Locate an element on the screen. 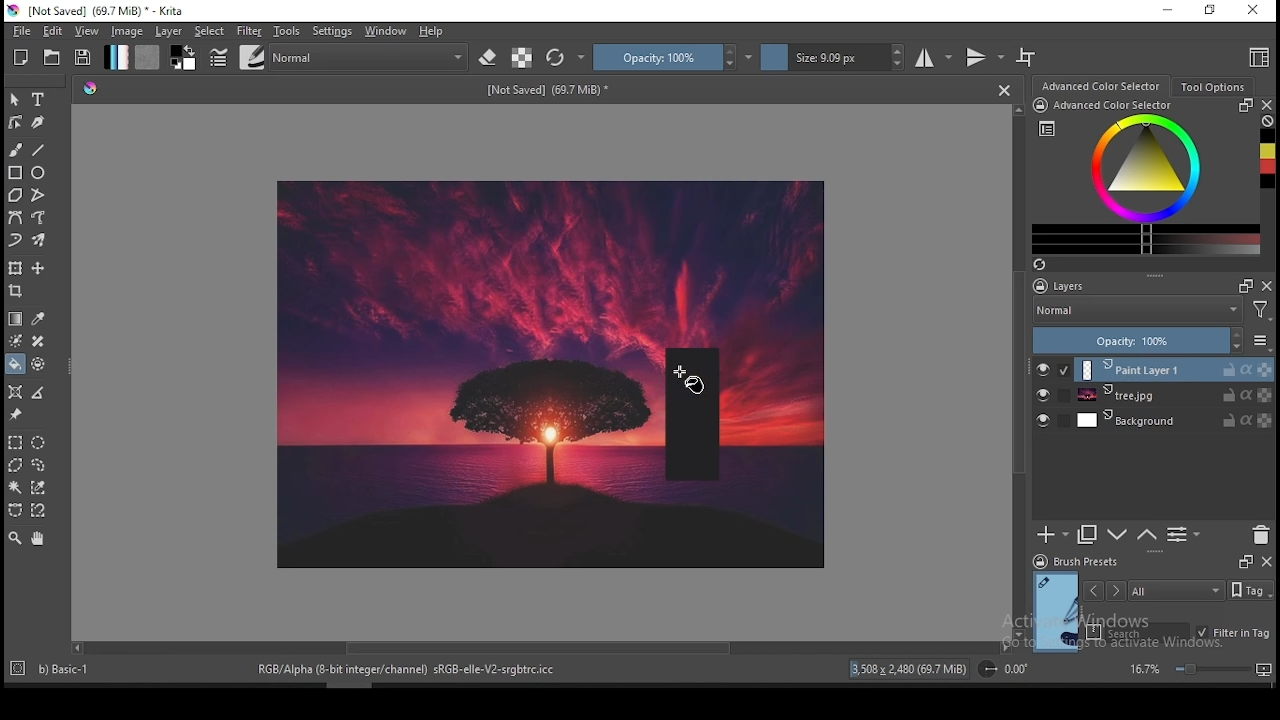 This screenshot has width=1280, height=720. Frame is located at coordinates (1243, 562).